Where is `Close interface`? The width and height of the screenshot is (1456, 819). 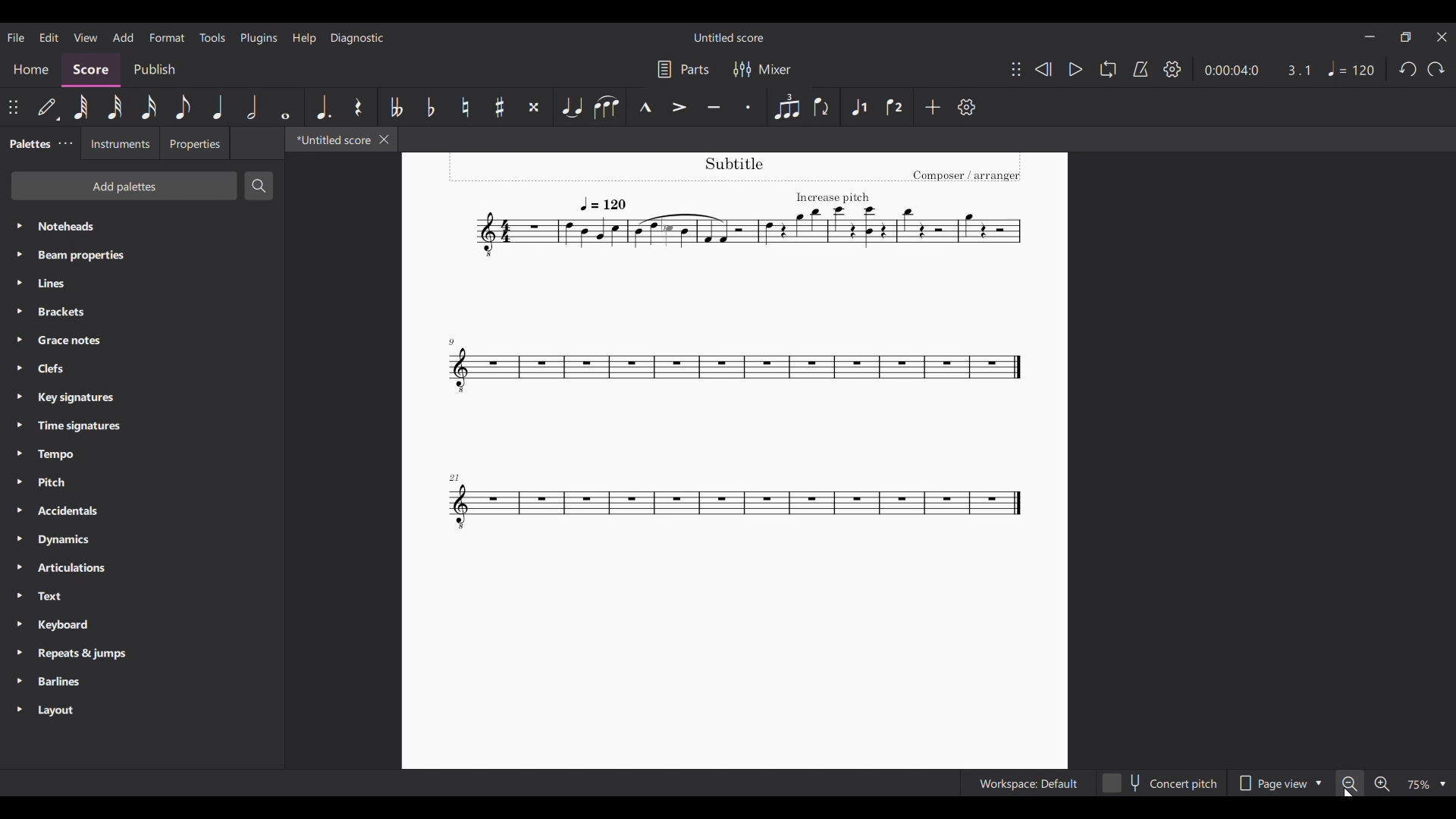 Close interface is located at coordinates (1442, 37).